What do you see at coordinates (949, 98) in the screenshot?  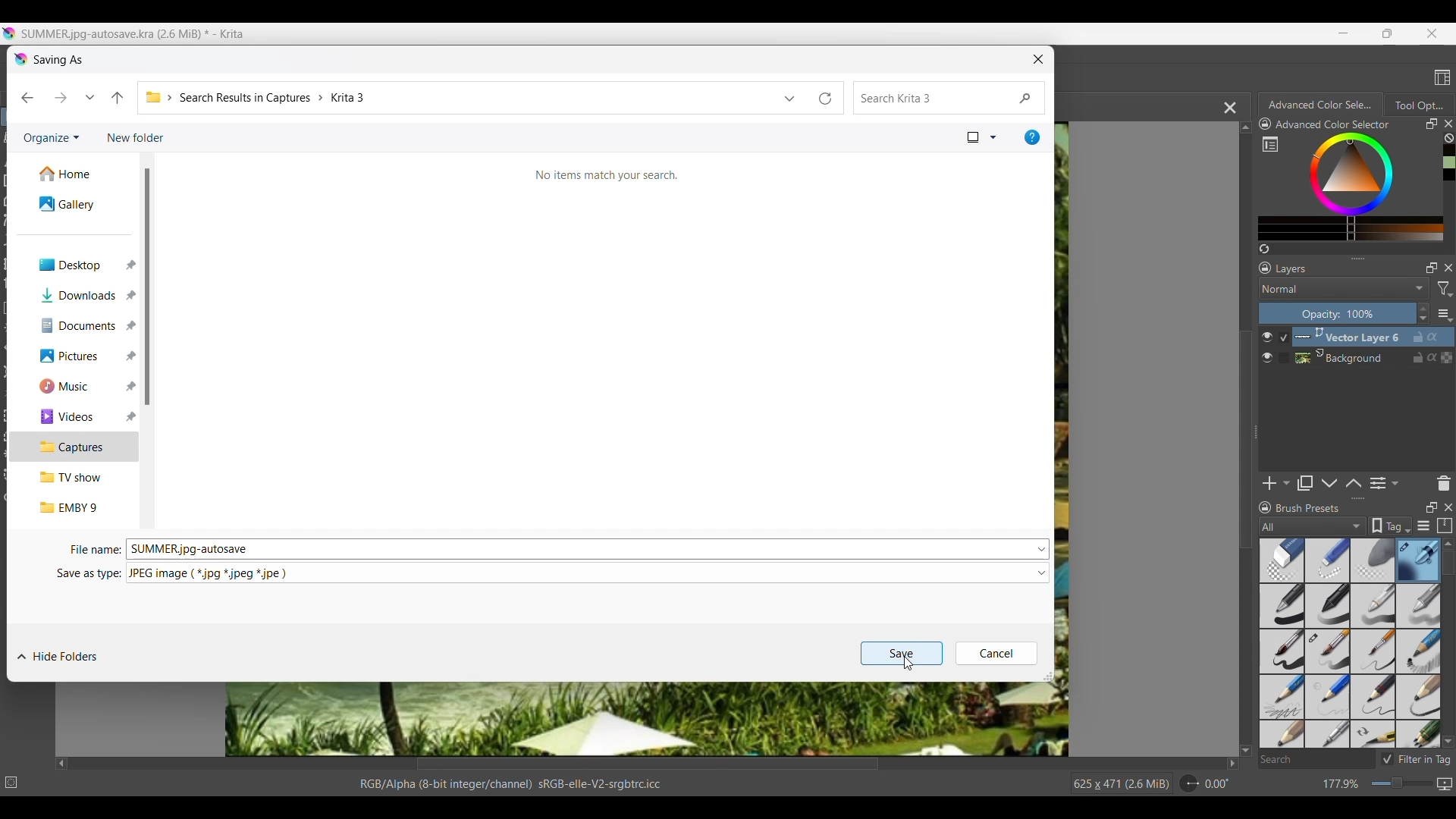 I see `Quick search` at bounding box center [949, 98].